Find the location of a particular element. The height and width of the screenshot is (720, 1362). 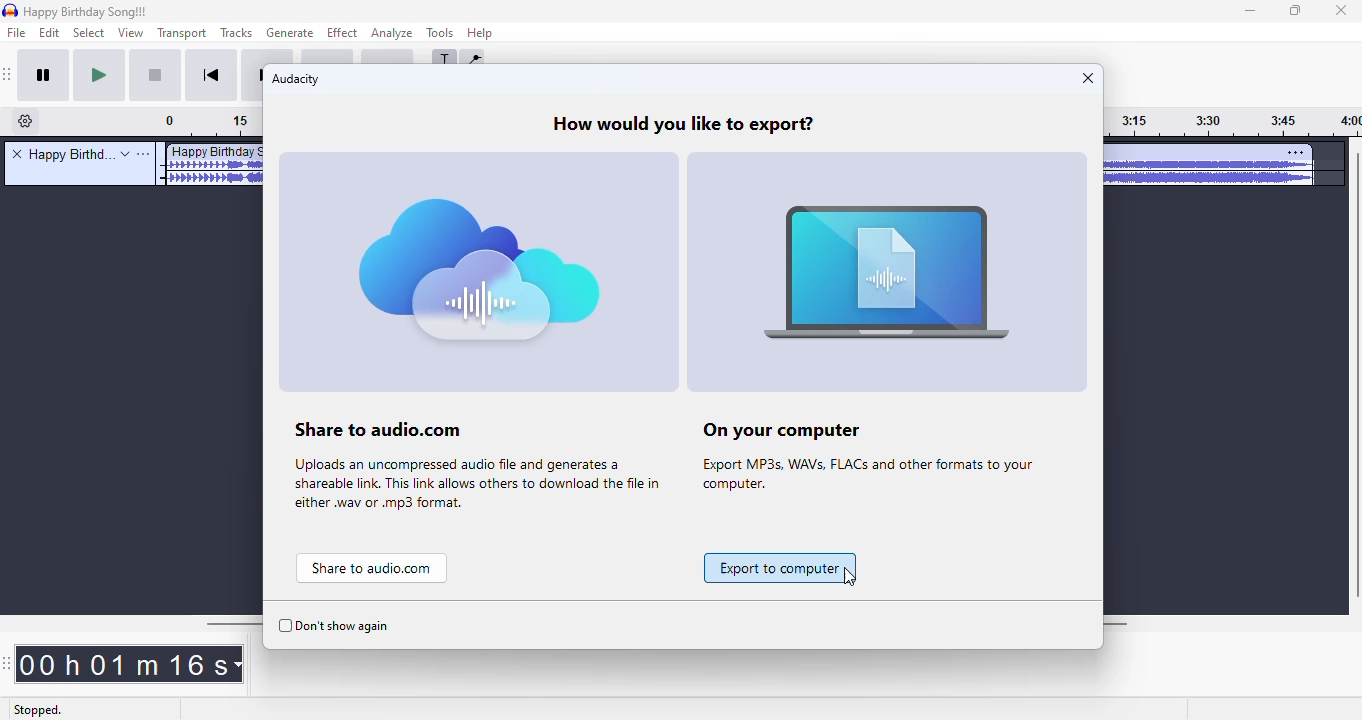

audacity is located at coordinates (296, 80).